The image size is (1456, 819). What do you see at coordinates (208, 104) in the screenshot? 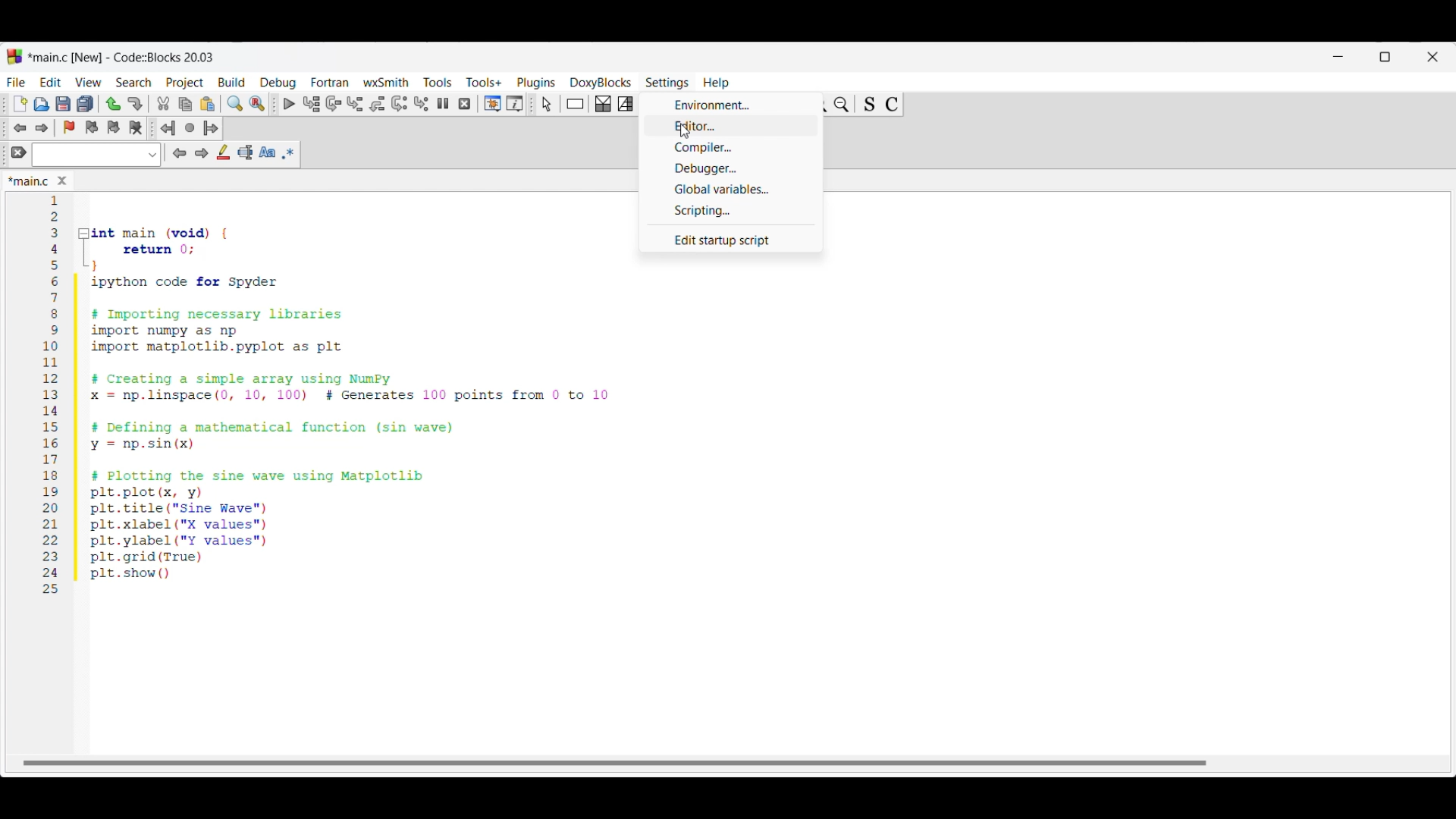
I see `Paste` at bounding box center [208, 104].